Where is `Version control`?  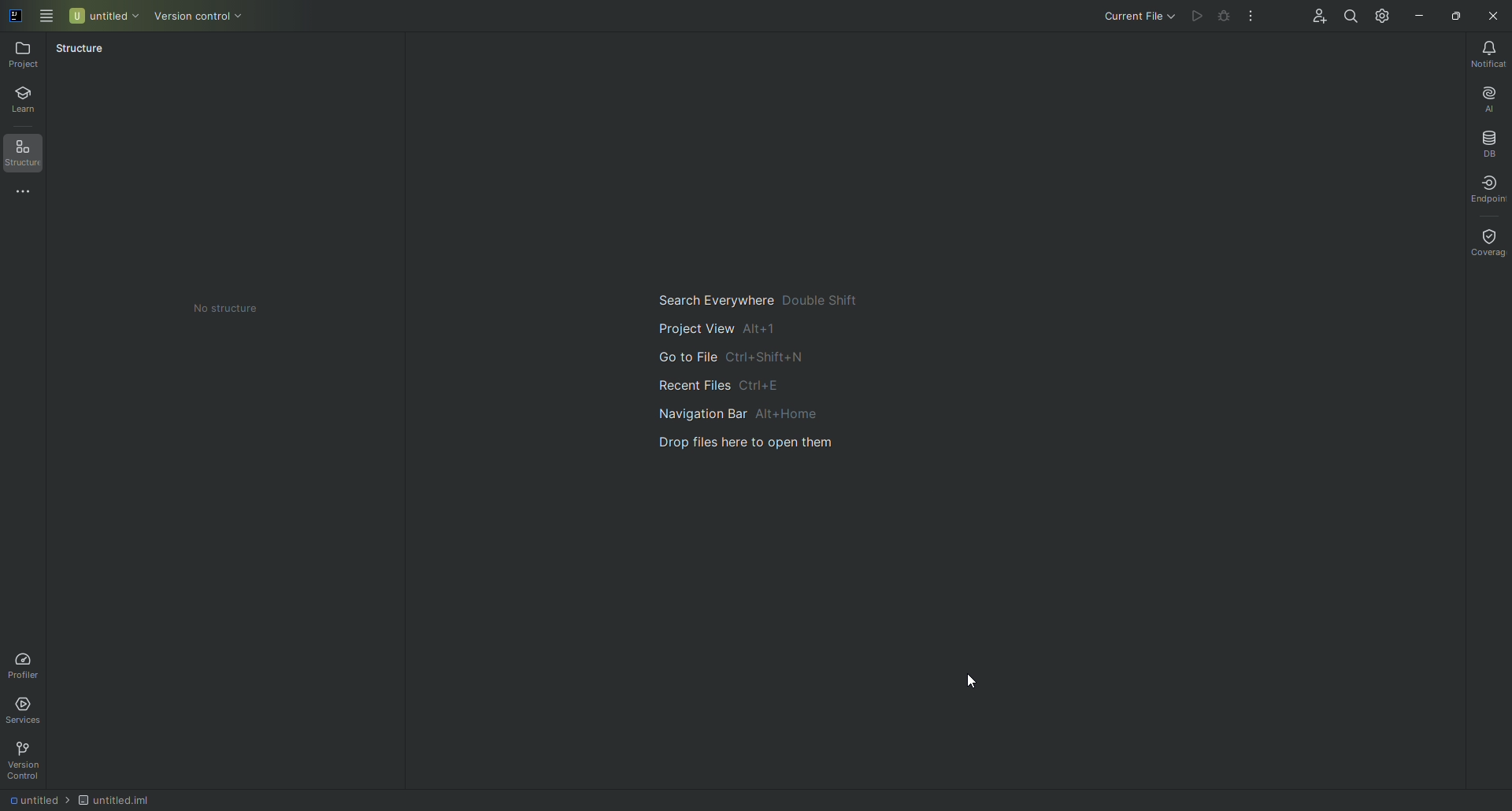 Version control is located at coordinates (204, 17).